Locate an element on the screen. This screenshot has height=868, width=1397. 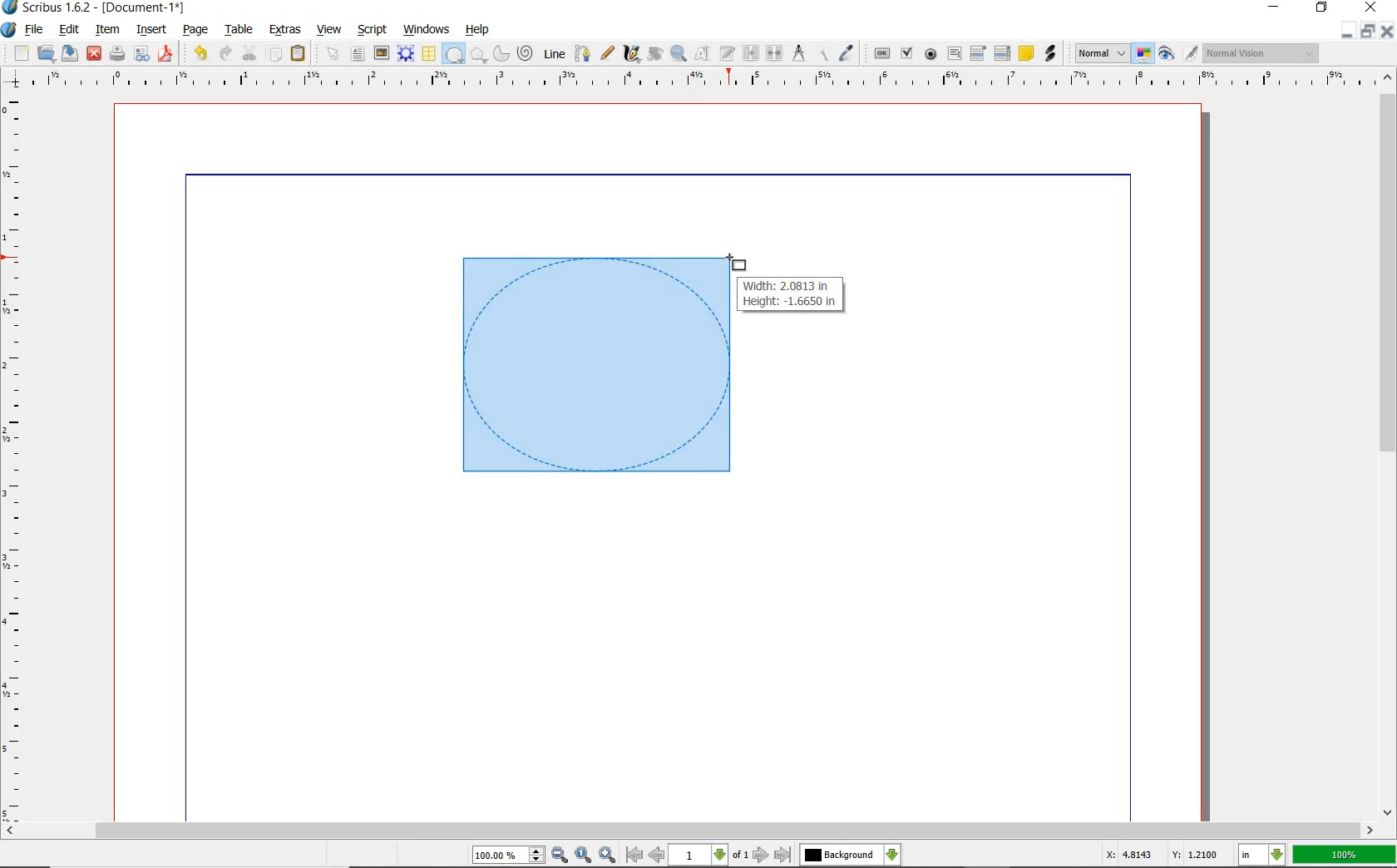
BEZIER CURVE is located at coordinates (583, 53).